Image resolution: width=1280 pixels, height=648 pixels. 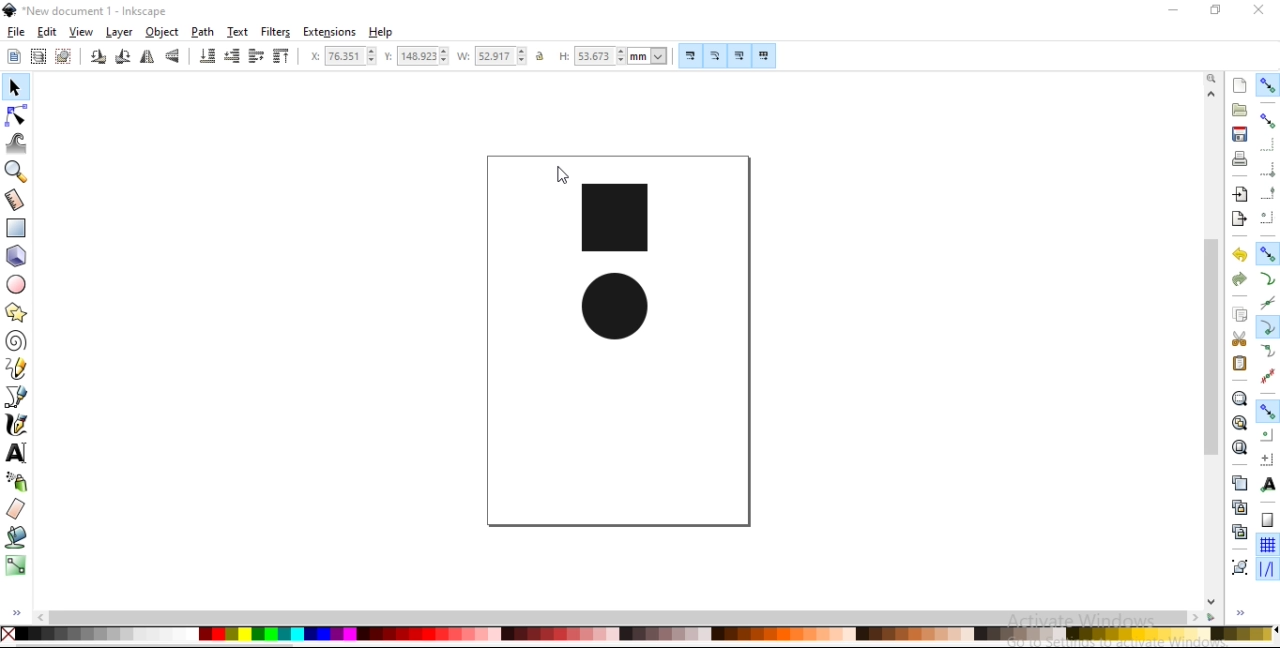 I want to click on scrollbar, so click(x=1214, y=341).